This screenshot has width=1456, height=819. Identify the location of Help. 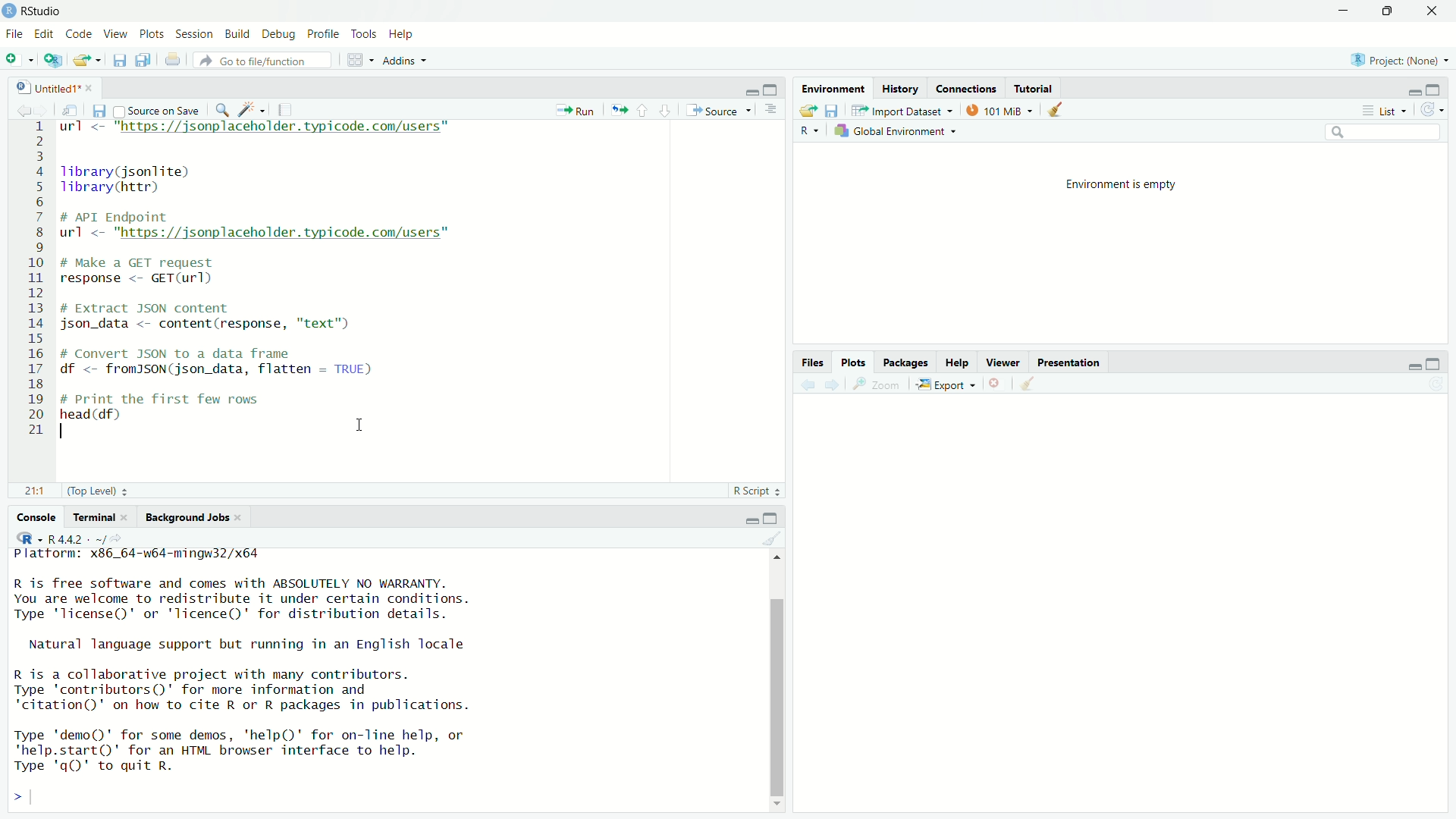
(402, 35).